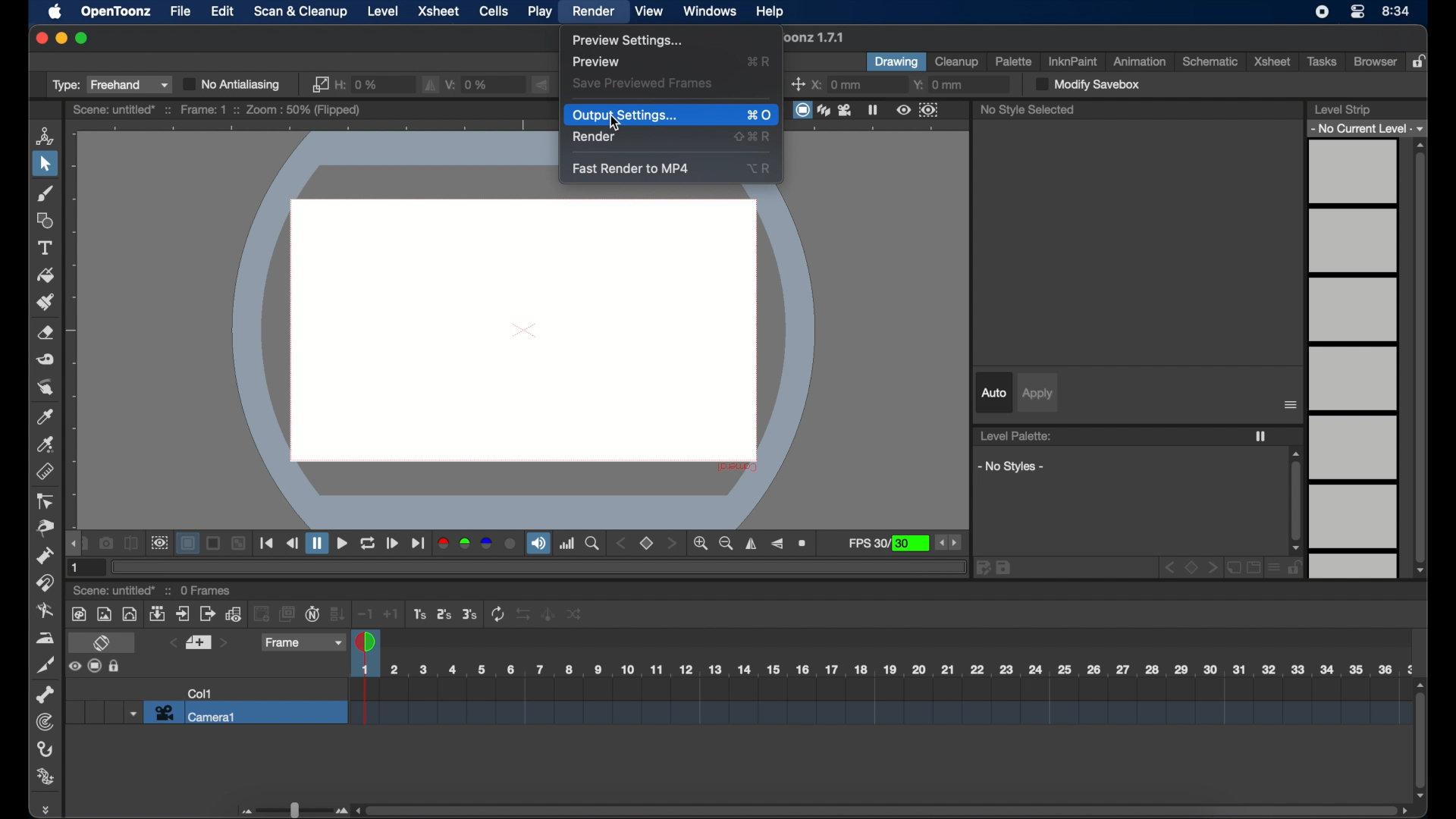 The height and width of the screenshot is (819, 1456). What do you see at coordinates (417, 547) in the screenshot?
I see `` at bounding box center [417, 547].